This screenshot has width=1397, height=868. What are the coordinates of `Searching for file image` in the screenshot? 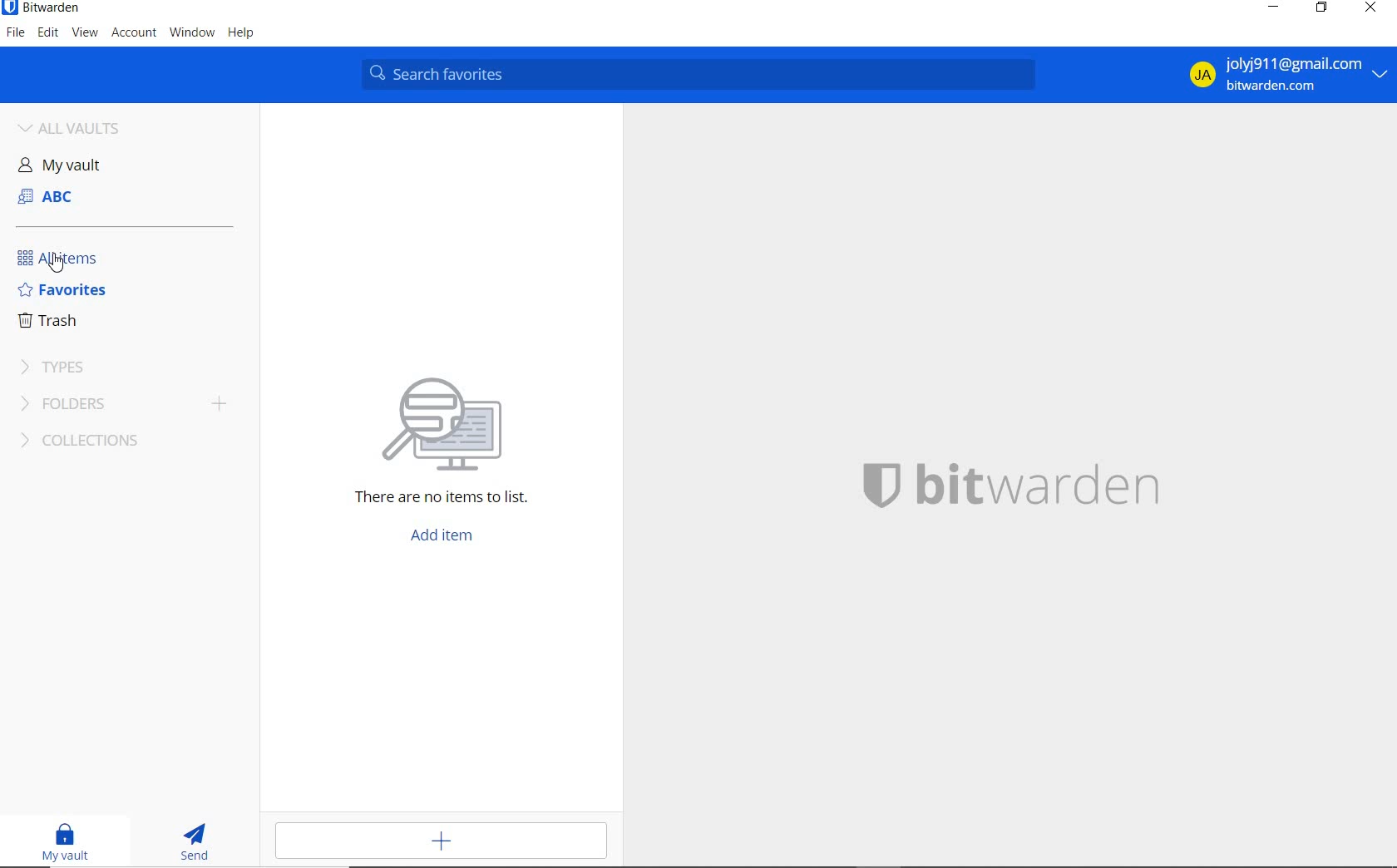 It's located at (463, 417).